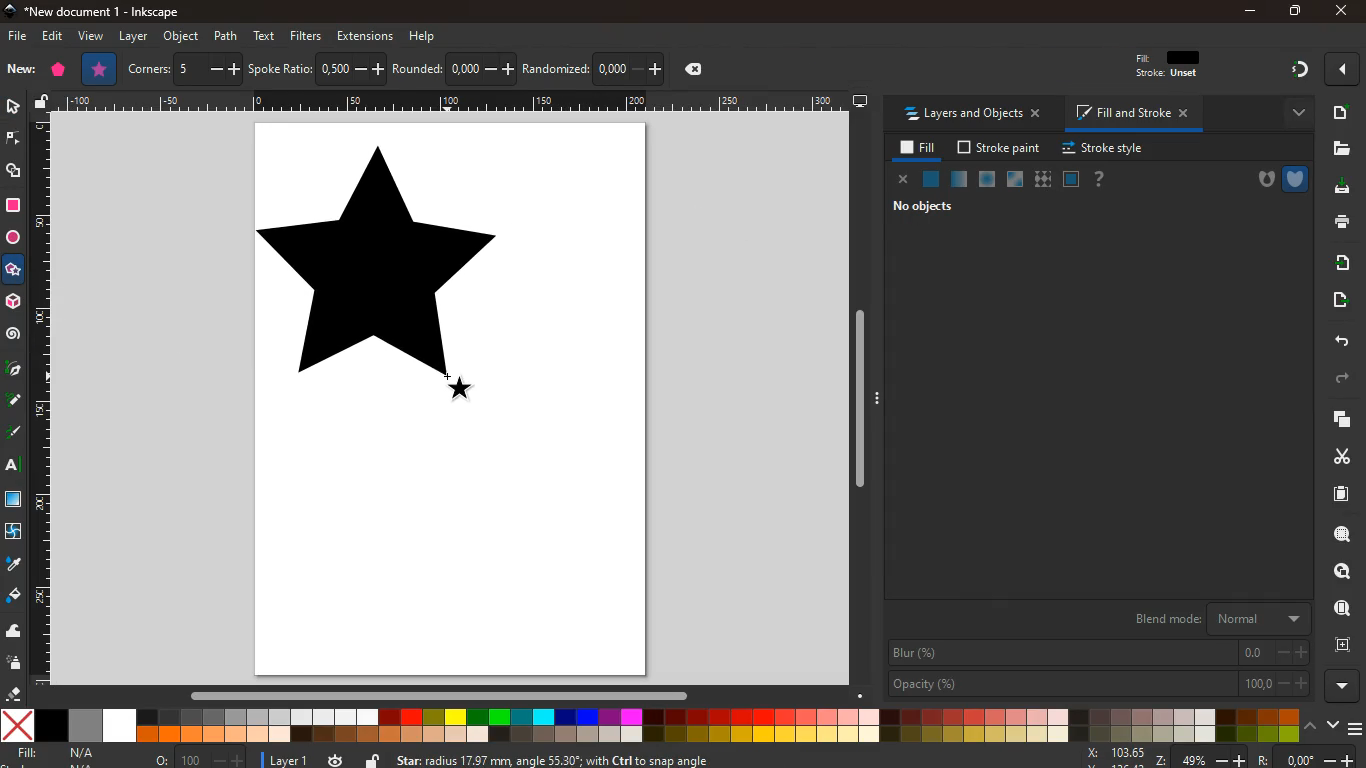 The image size is (1366, 768). What do you see at coordinates (1095, 653) in the screenshot?
I see `blur` at bounding box center [1095, 653].